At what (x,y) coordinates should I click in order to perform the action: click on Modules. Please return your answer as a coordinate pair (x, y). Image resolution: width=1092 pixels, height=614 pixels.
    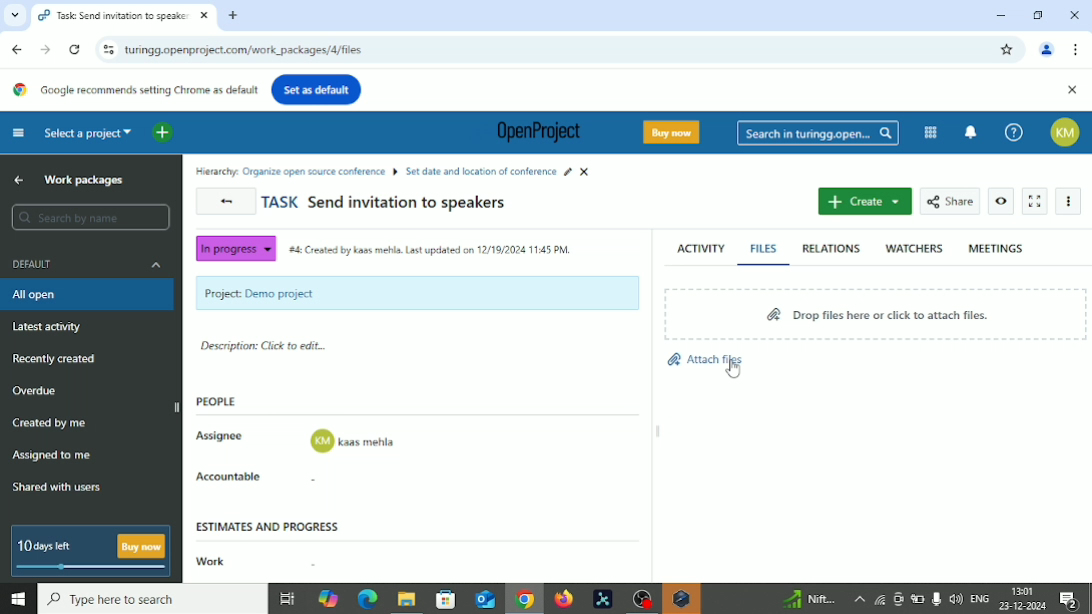
    Looking at the image, I should click on (930, 132).